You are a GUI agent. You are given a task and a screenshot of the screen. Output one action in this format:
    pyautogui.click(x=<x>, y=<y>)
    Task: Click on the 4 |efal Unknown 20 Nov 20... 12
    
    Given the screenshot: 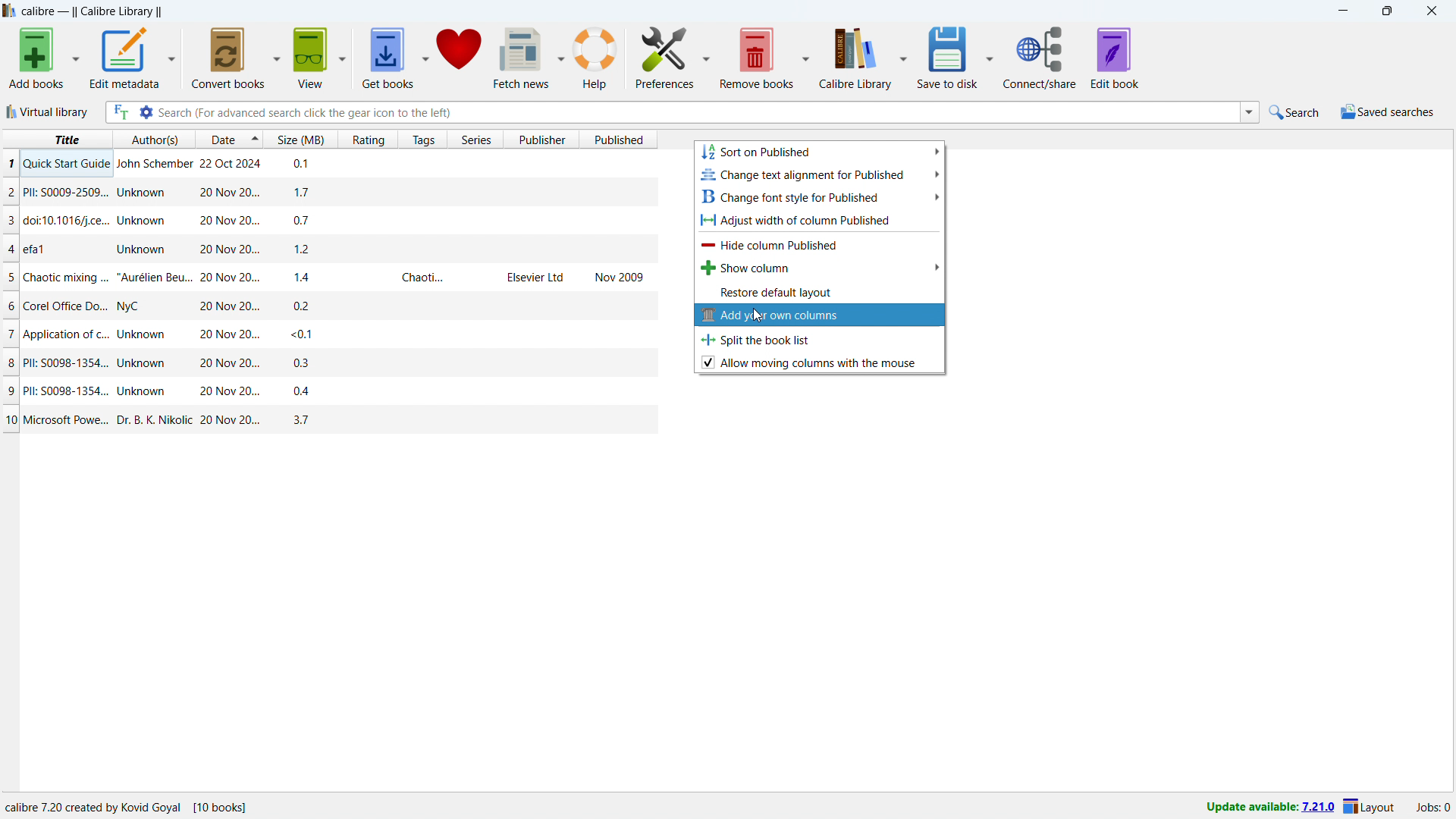 What is the action you would take?
    pyautogui.click(x=331, y=247)
    